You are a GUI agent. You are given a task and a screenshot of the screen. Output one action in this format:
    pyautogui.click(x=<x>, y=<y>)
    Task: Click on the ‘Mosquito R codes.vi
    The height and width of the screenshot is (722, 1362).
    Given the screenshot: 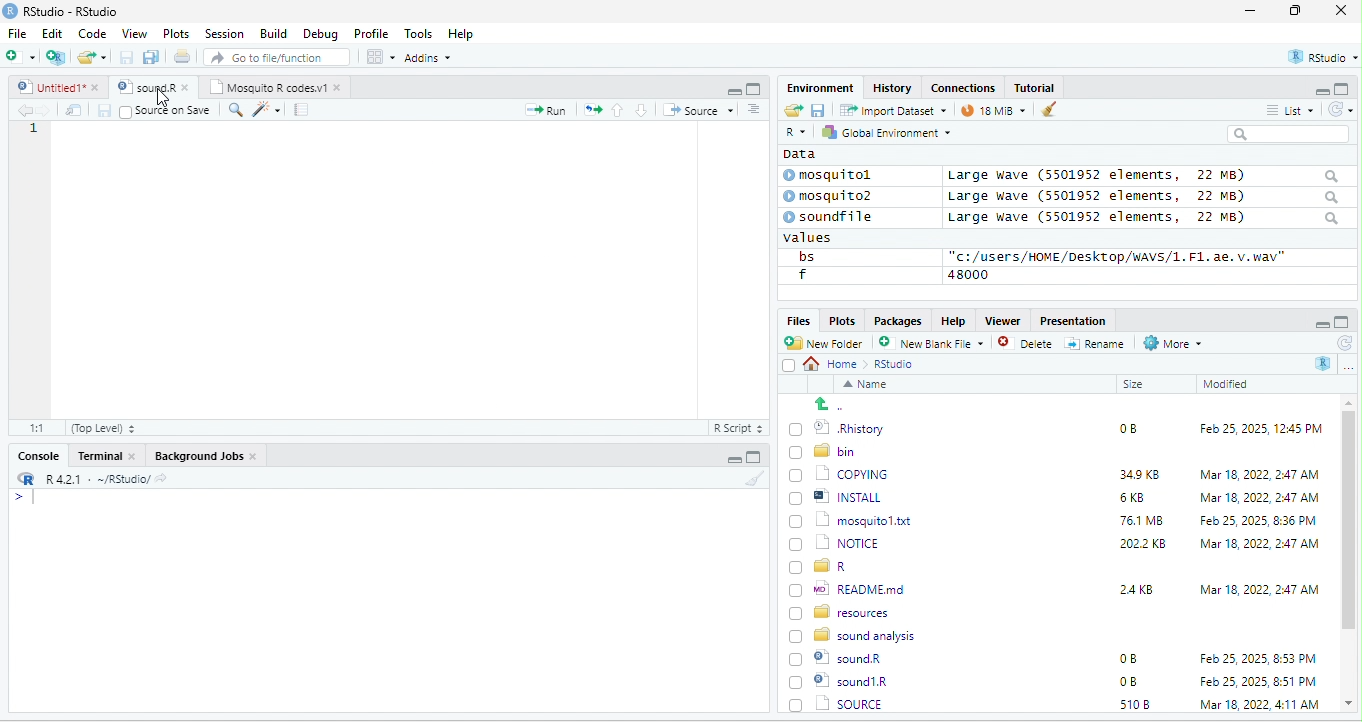 What is the action you would take?
    pyautogui.click(x=150, y=87)
    